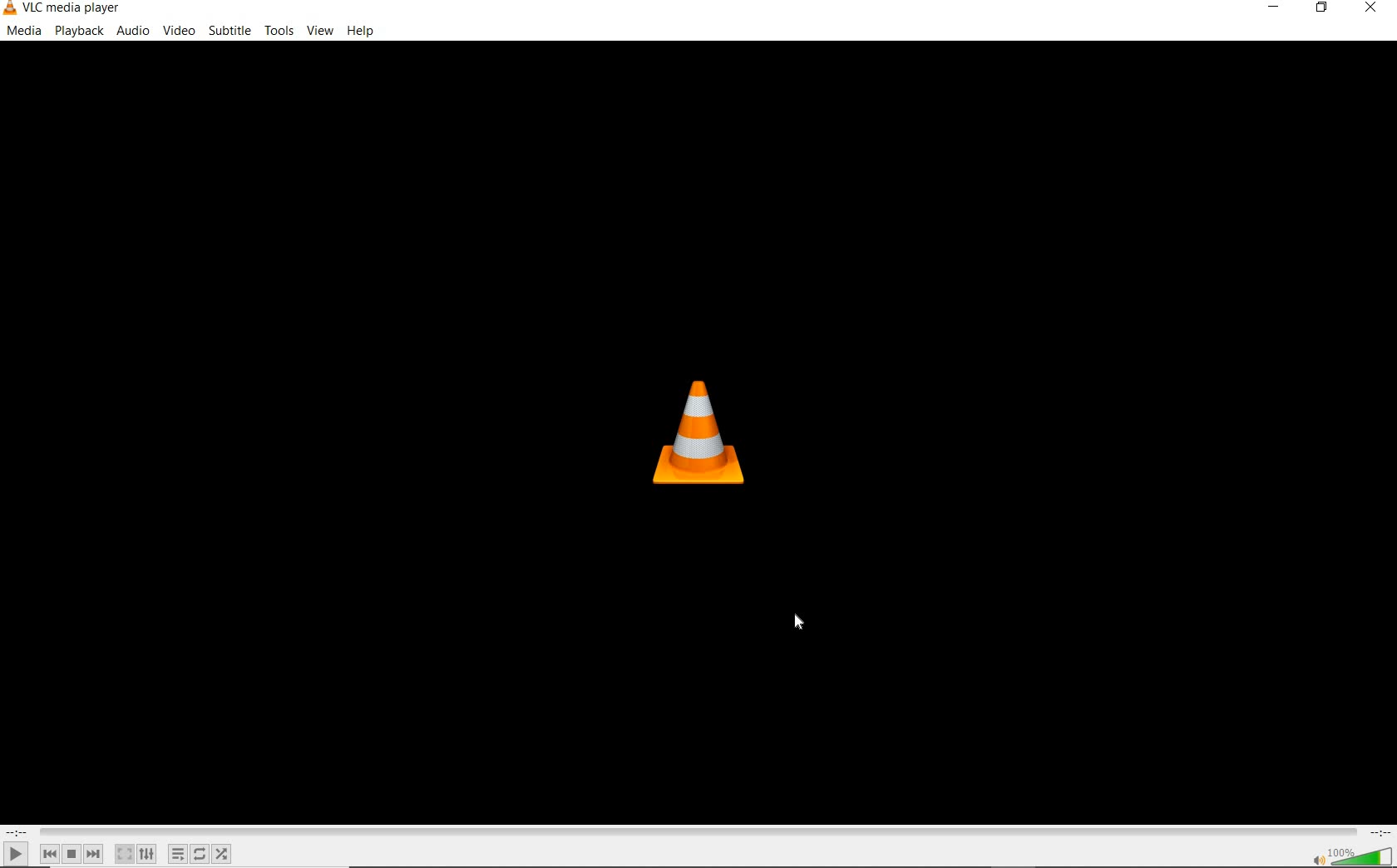 The width and height of the screenshot is (1397, 868). I want to click on show extended settings, so click(146, 854).